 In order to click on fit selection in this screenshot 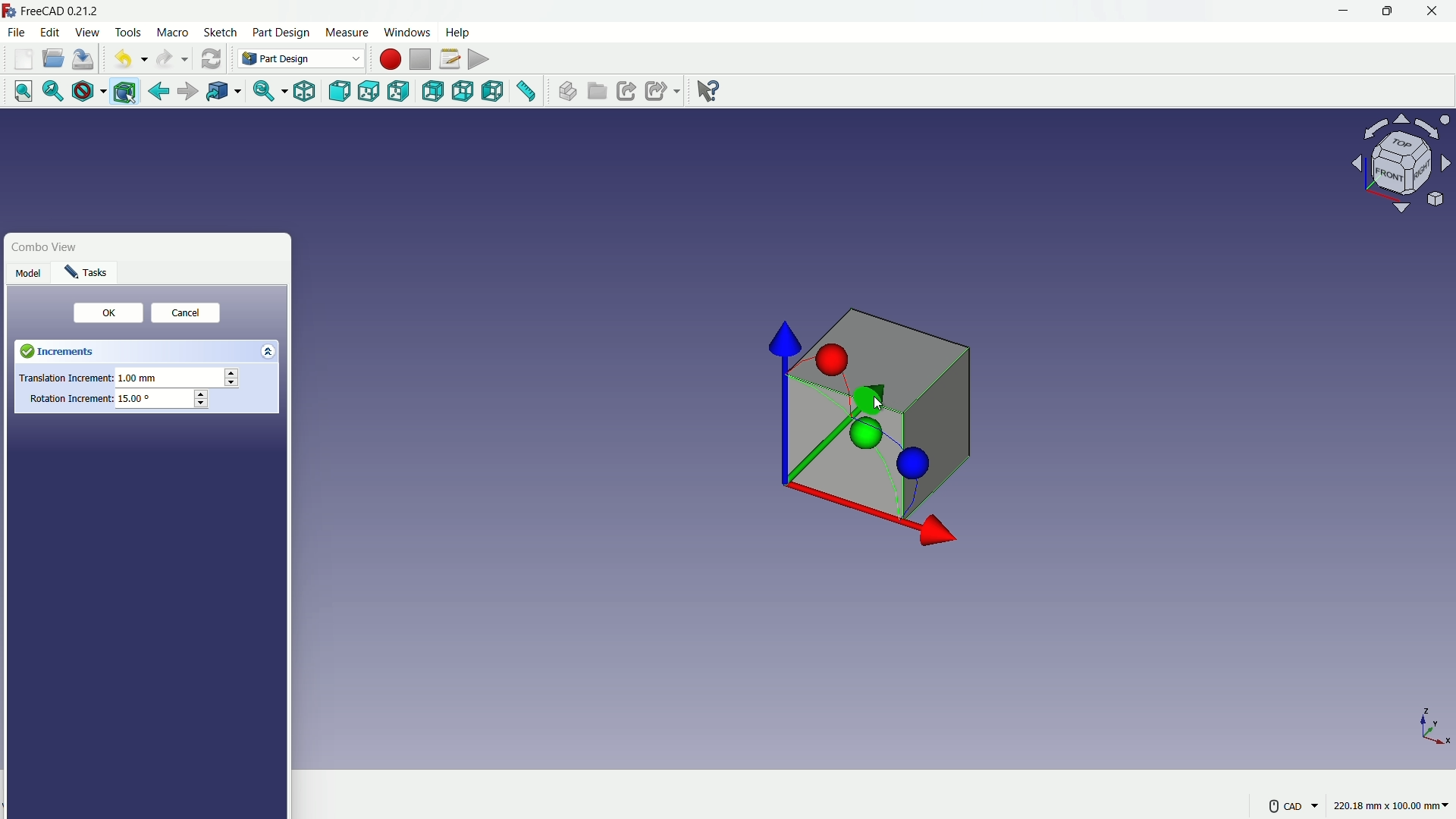, I will do `click(49, 92)`.